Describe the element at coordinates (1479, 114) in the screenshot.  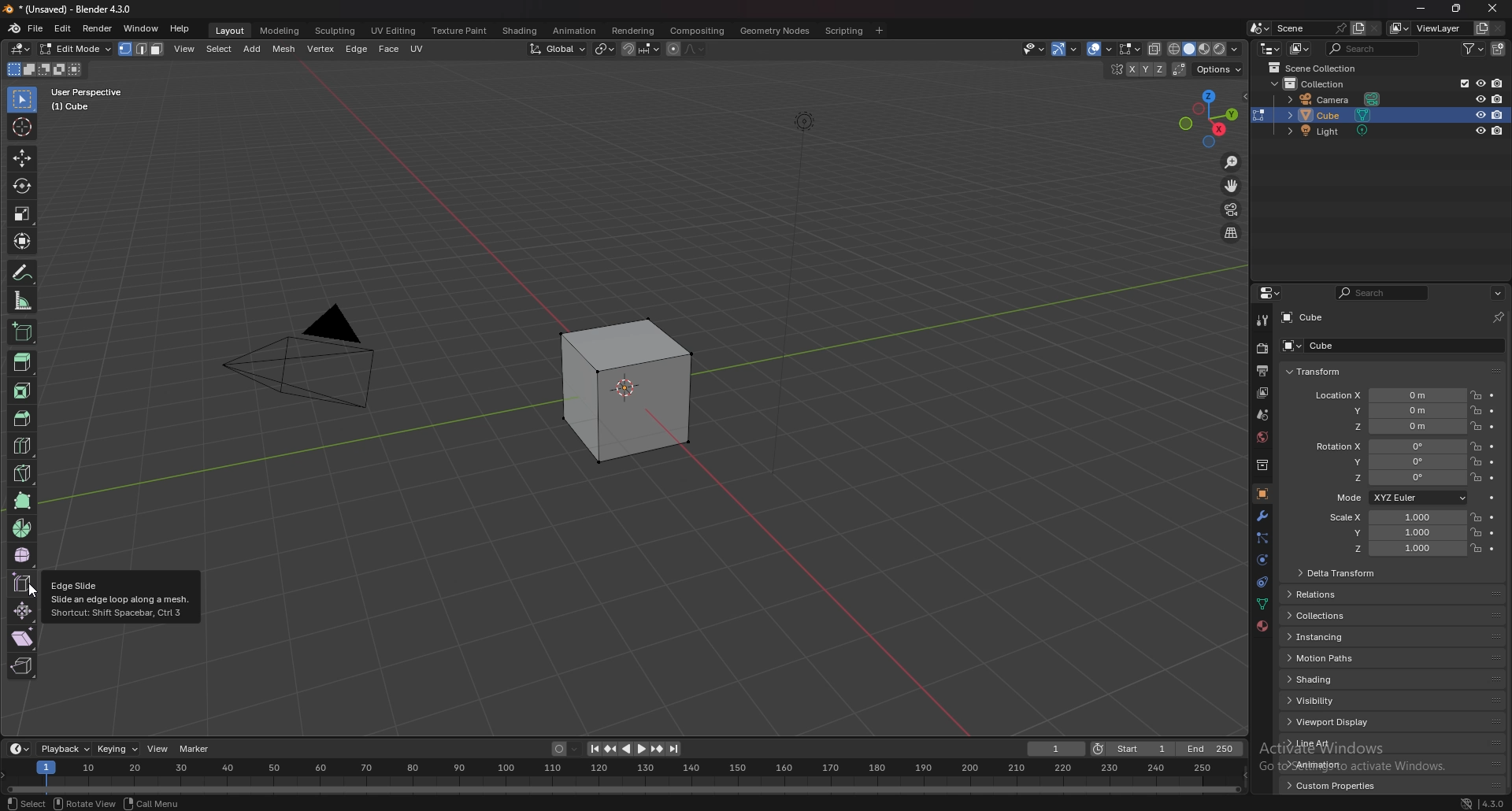
I see `hide in viewport` at that location.